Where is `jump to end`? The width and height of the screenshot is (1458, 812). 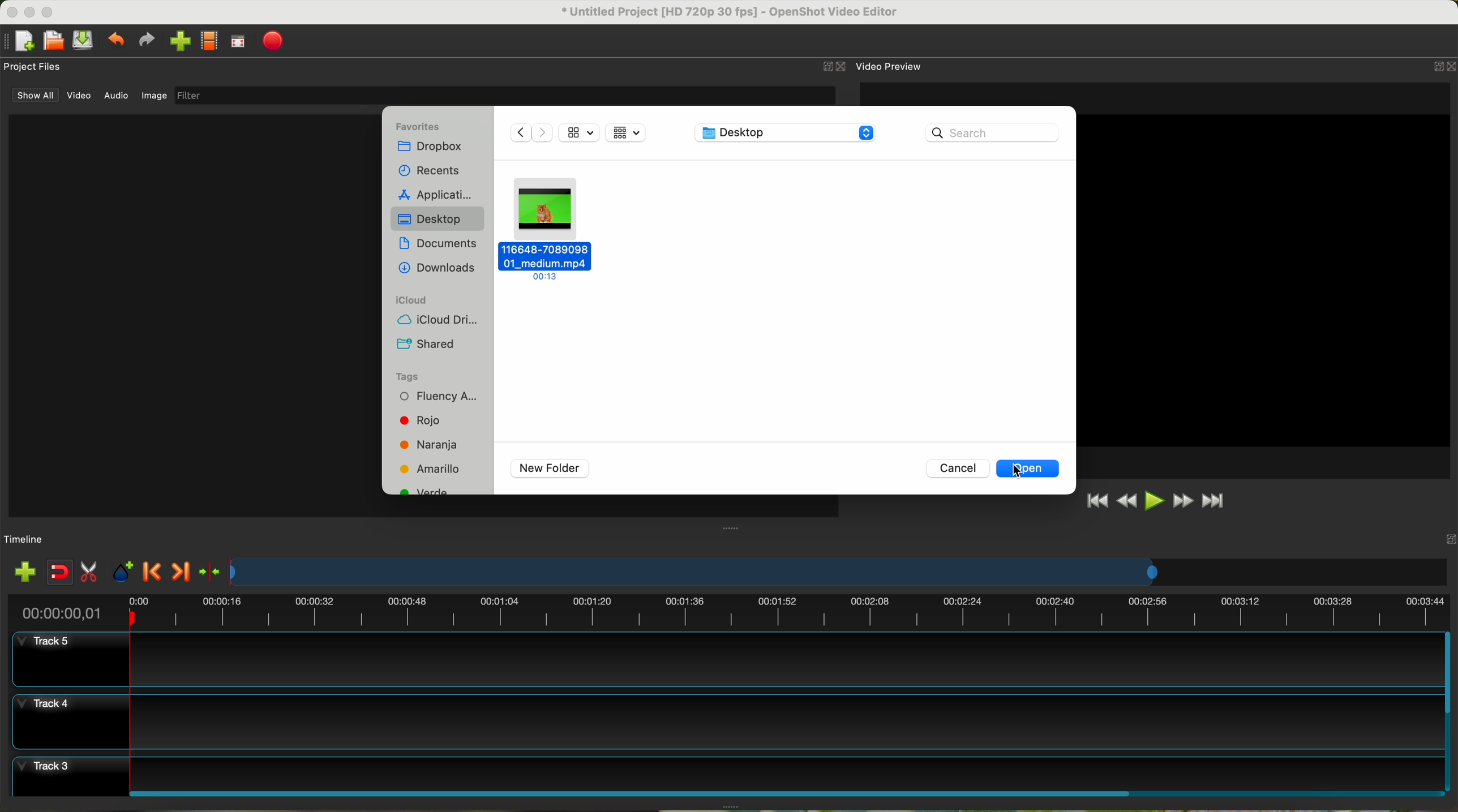 jump to end is located at coordinates (1215, 502).